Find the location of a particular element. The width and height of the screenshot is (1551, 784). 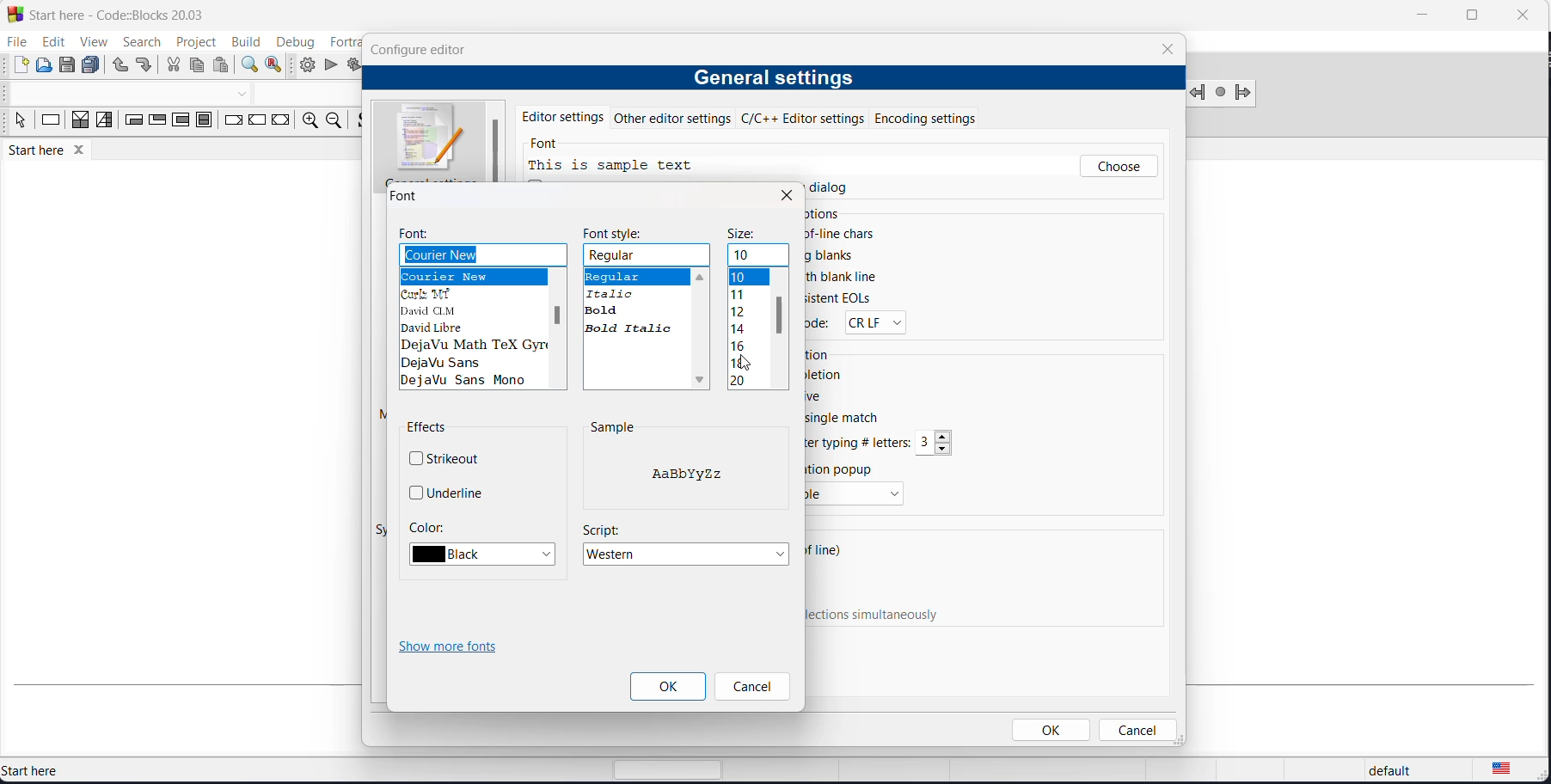

underline checkbox is located at coordinates (449, 492).